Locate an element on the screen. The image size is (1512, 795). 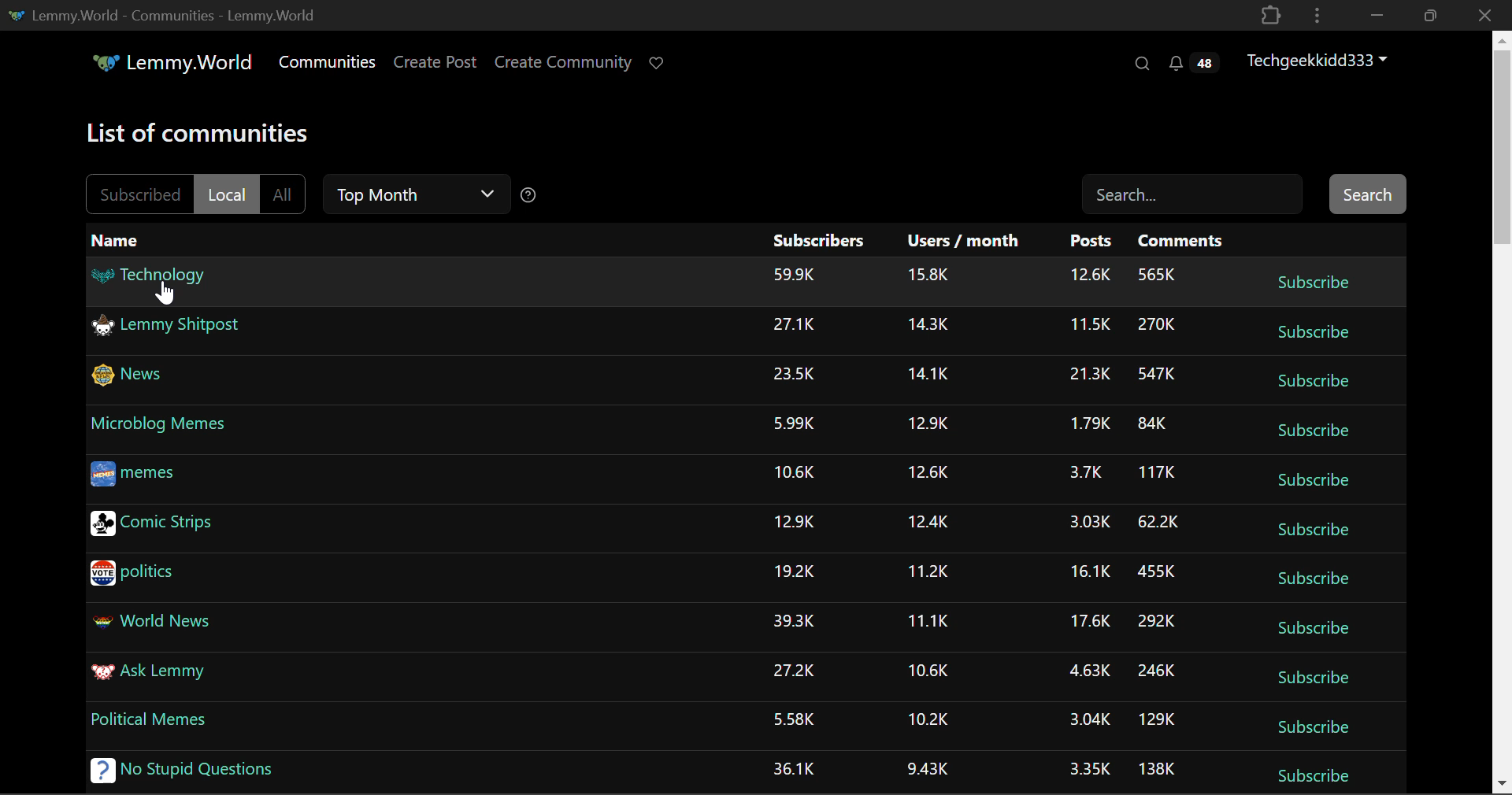
Subscribe is located at coordinates (1315, 729).